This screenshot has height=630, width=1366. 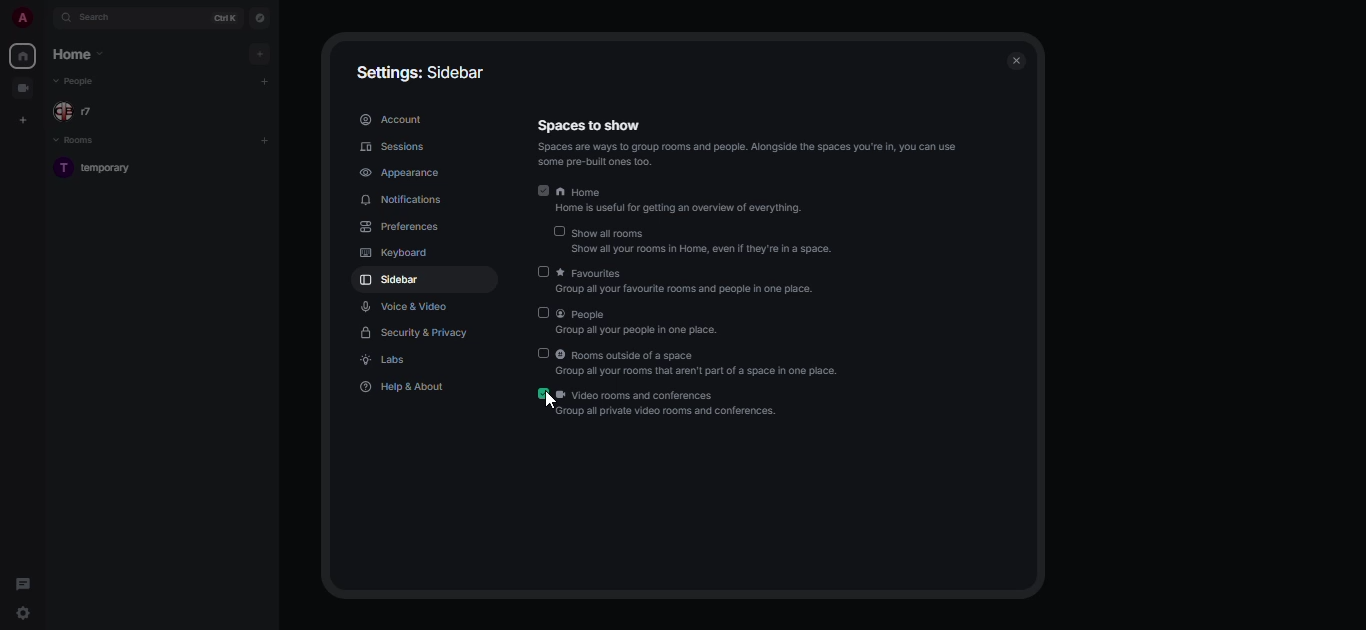 What do you see at coordinates (710, 242) in the screenshot?
I see `show all rooms` at bounding box center [710, 242].